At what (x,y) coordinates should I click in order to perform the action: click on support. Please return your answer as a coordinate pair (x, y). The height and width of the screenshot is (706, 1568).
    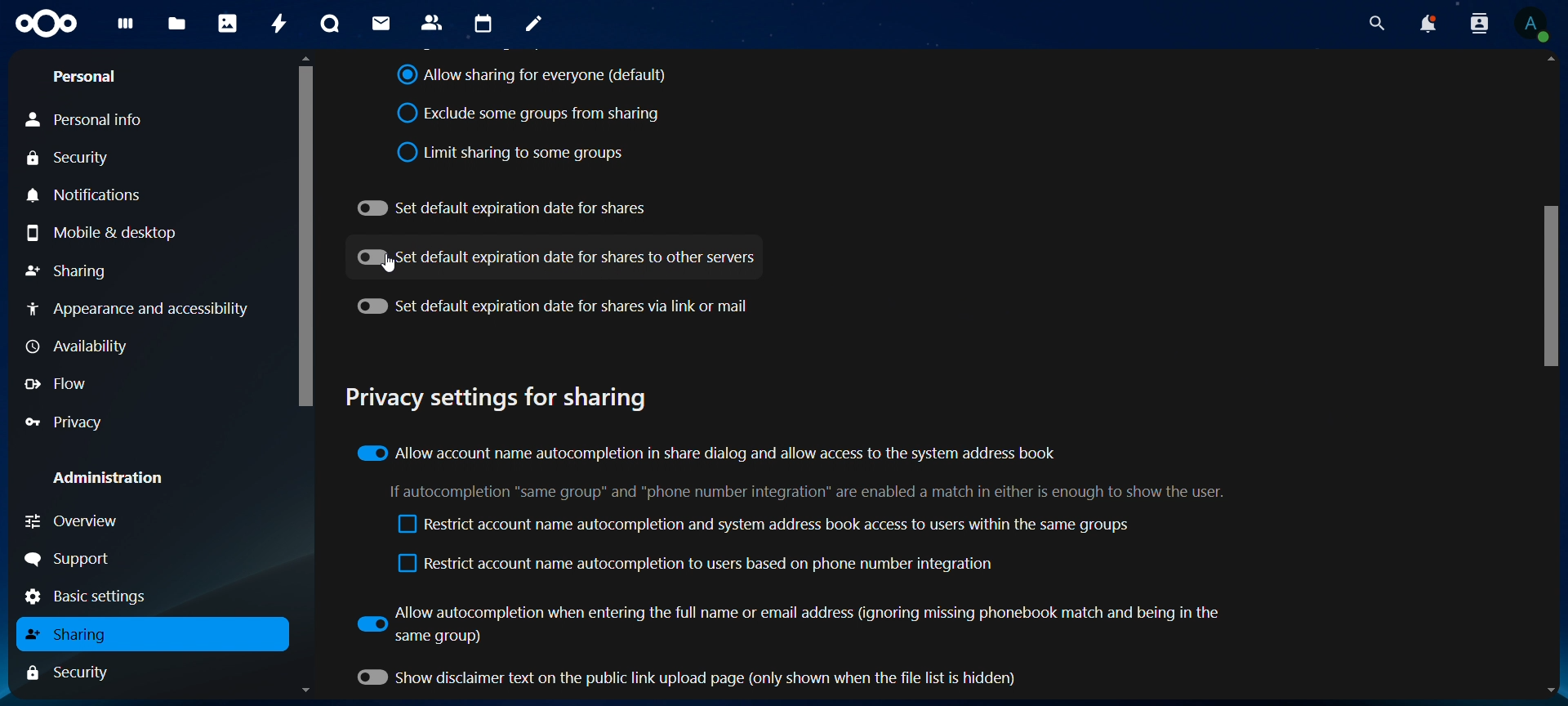
    Looking at the image, I should click on (75, 559).